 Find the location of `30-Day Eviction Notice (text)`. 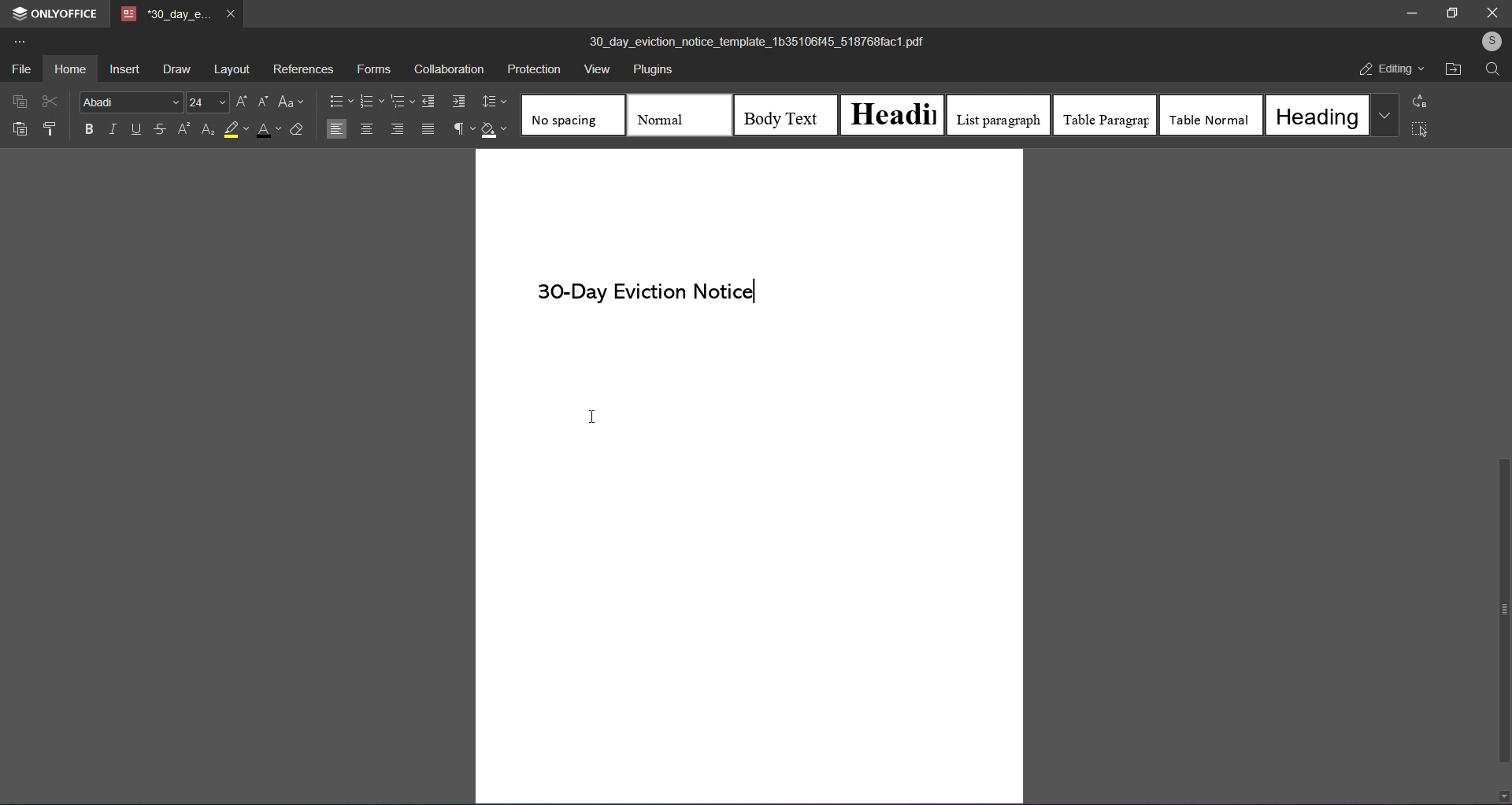

30-Day Eviction Notice (text) is located at coordinates (649, 291).